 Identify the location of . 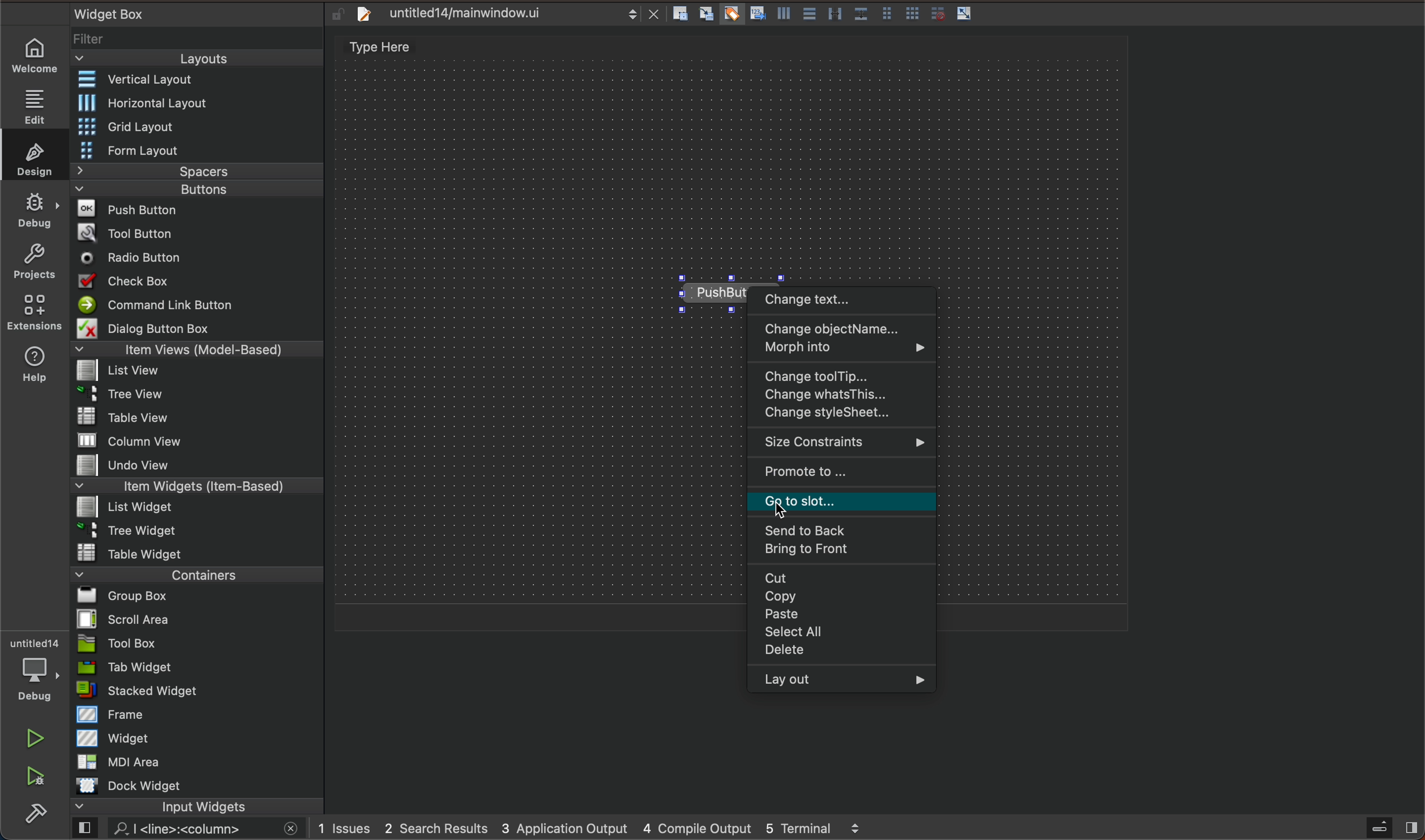
(938, 11).